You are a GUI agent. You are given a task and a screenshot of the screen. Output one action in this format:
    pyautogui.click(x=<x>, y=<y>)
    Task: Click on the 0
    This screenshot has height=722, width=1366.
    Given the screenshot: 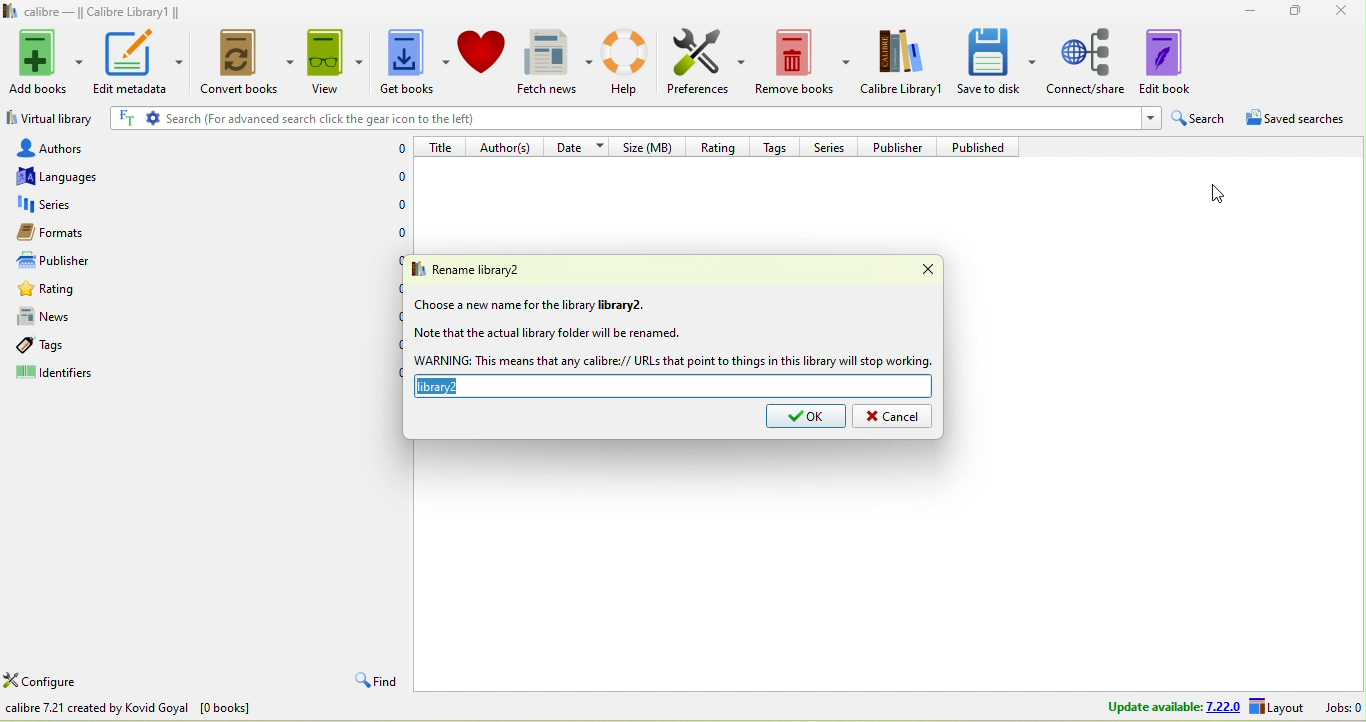 What is the action you would take?
    pyautogui.click(x=391, y=373)
    